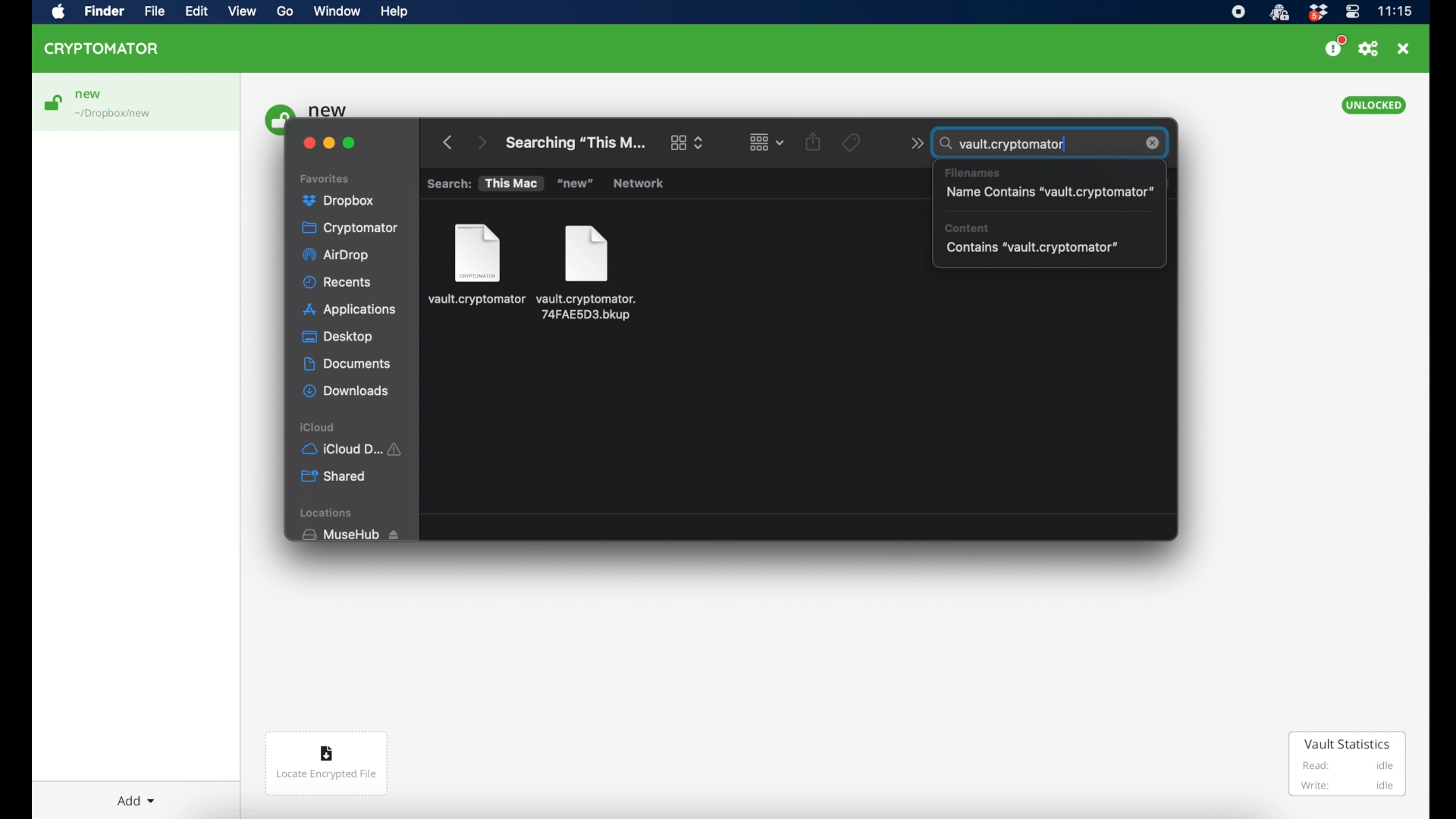 This screenshot has width=1456, height=819. I want to click on previou, so click(448, 139).